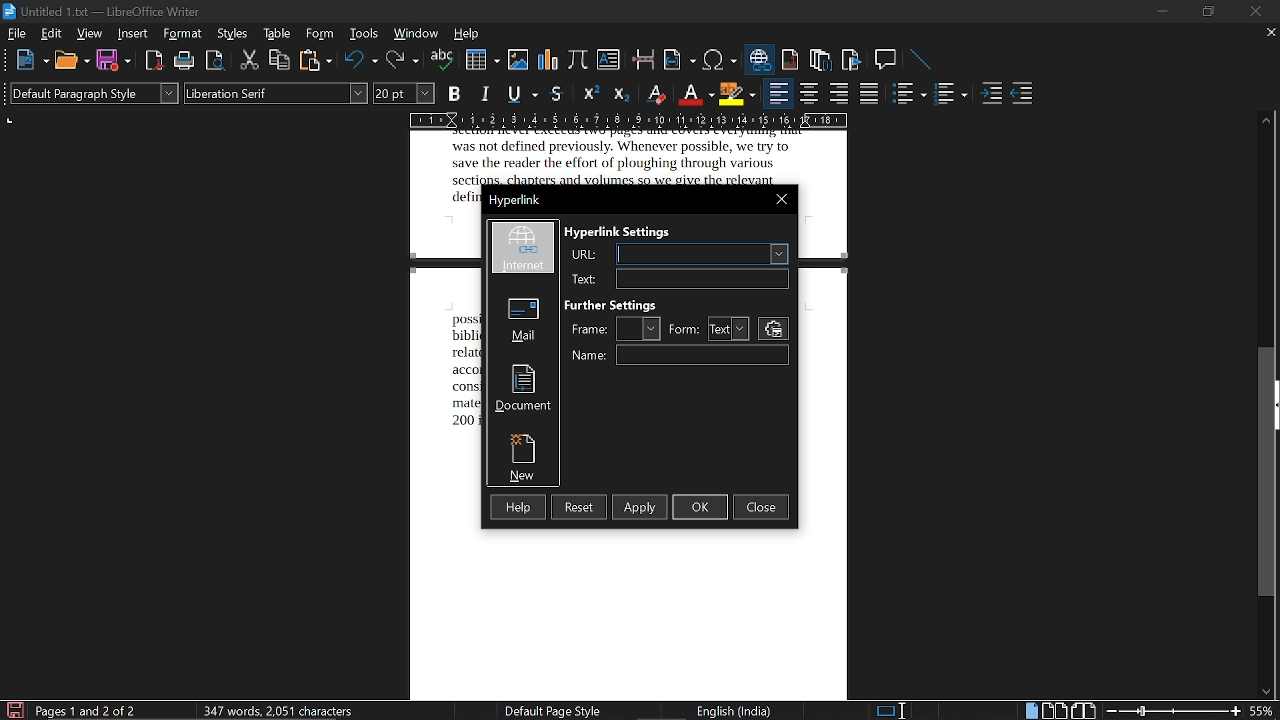  Describe the element at coordinates (783, 198) in the screenshot. I see `close` at that location.